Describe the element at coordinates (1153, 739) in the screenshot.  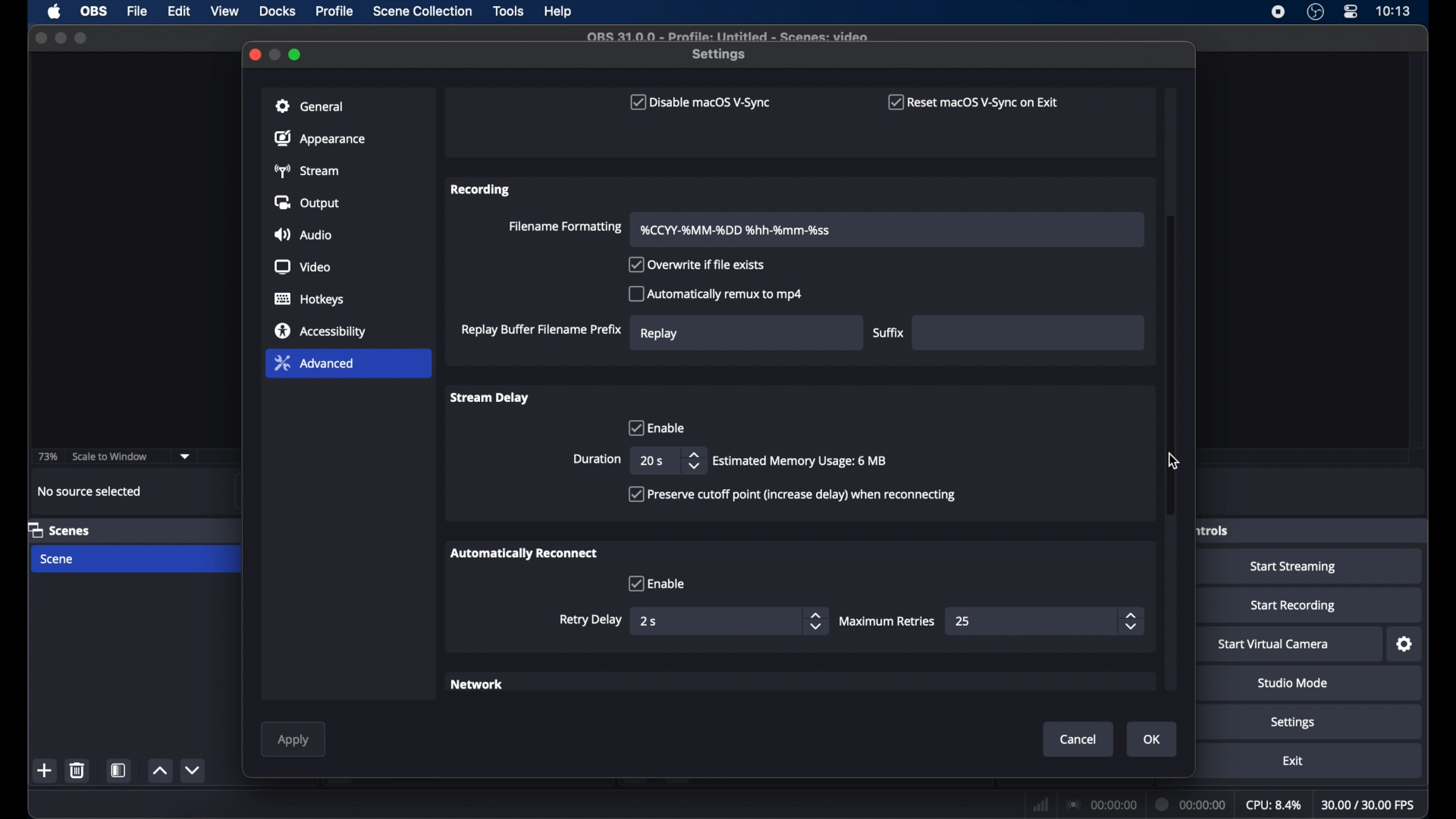
I see `ok` at that location.